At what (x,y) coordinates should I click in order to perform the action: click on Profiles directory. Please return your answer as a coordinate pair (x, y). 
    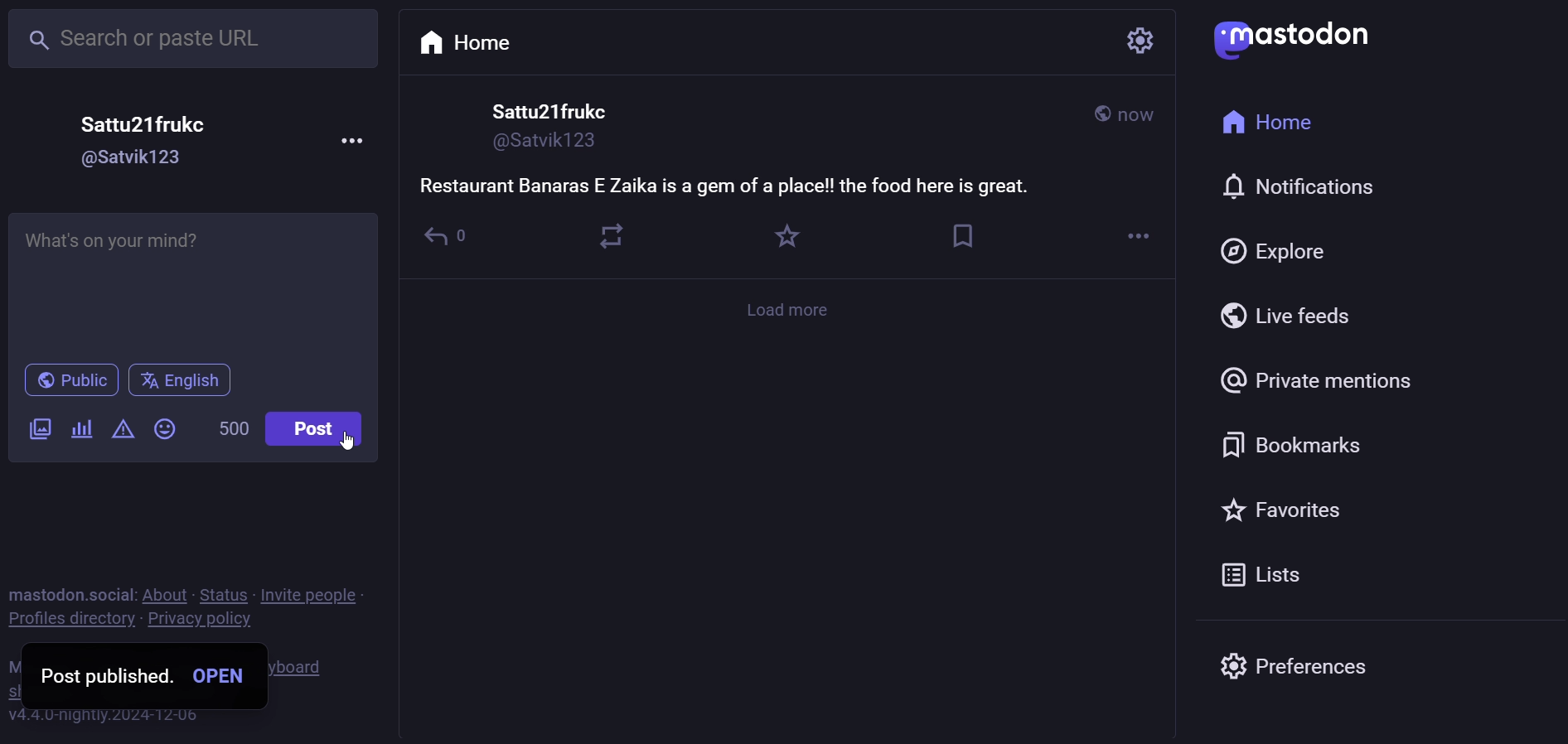
    Looking at the image, I should click on (69, 619).